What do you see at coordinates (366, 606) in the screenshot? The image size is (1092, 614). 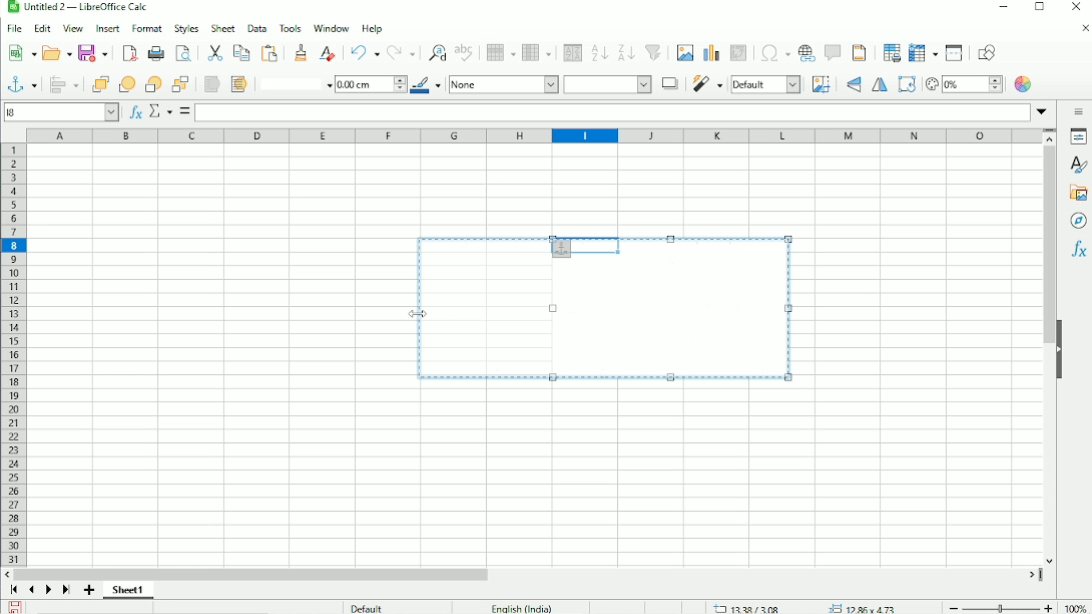 I see `Default` at bounding box center [366, 606].